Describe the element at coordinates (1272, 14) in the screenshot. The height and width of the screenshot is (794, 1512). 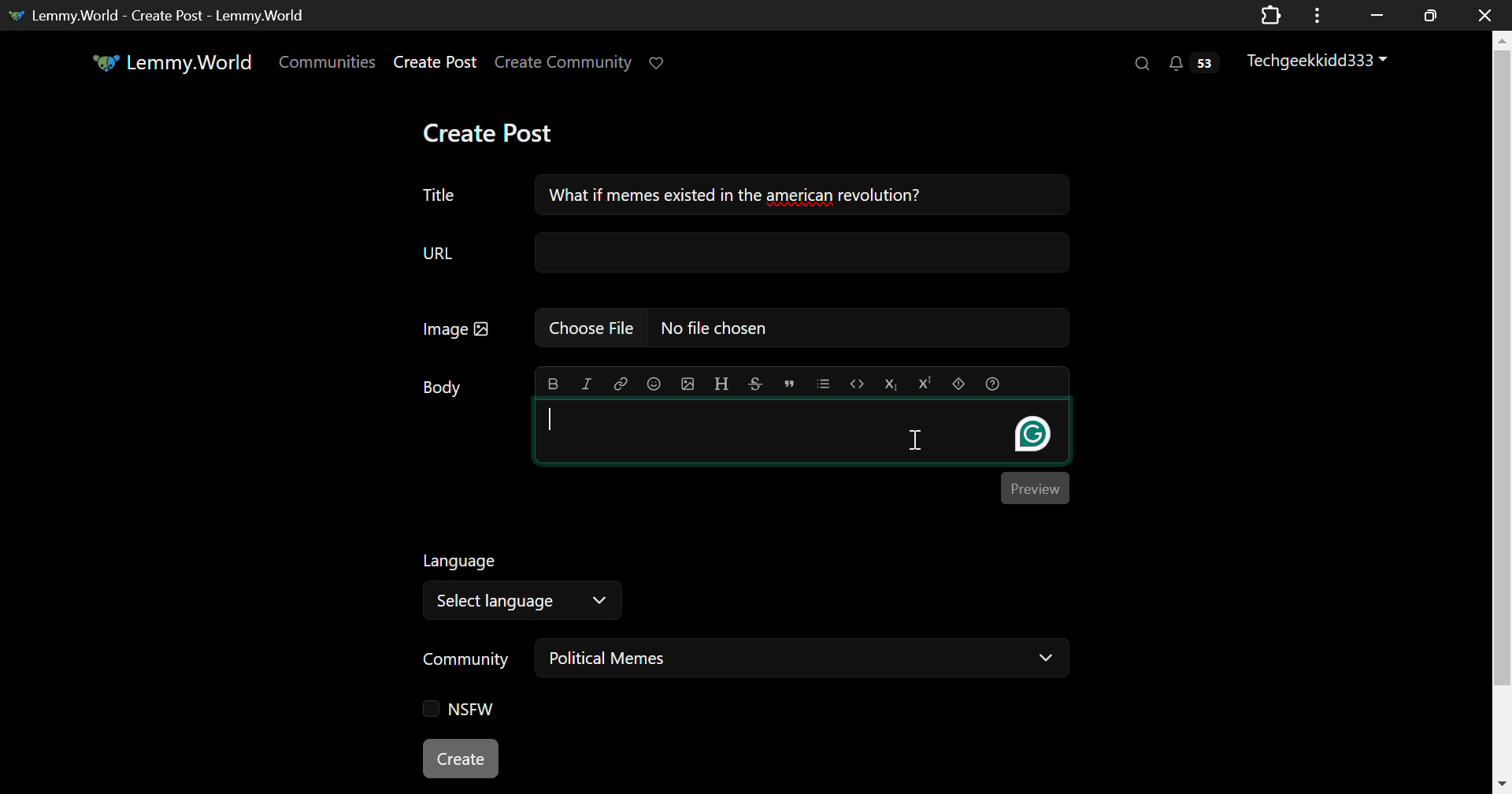
I see `Extensions` at that location.